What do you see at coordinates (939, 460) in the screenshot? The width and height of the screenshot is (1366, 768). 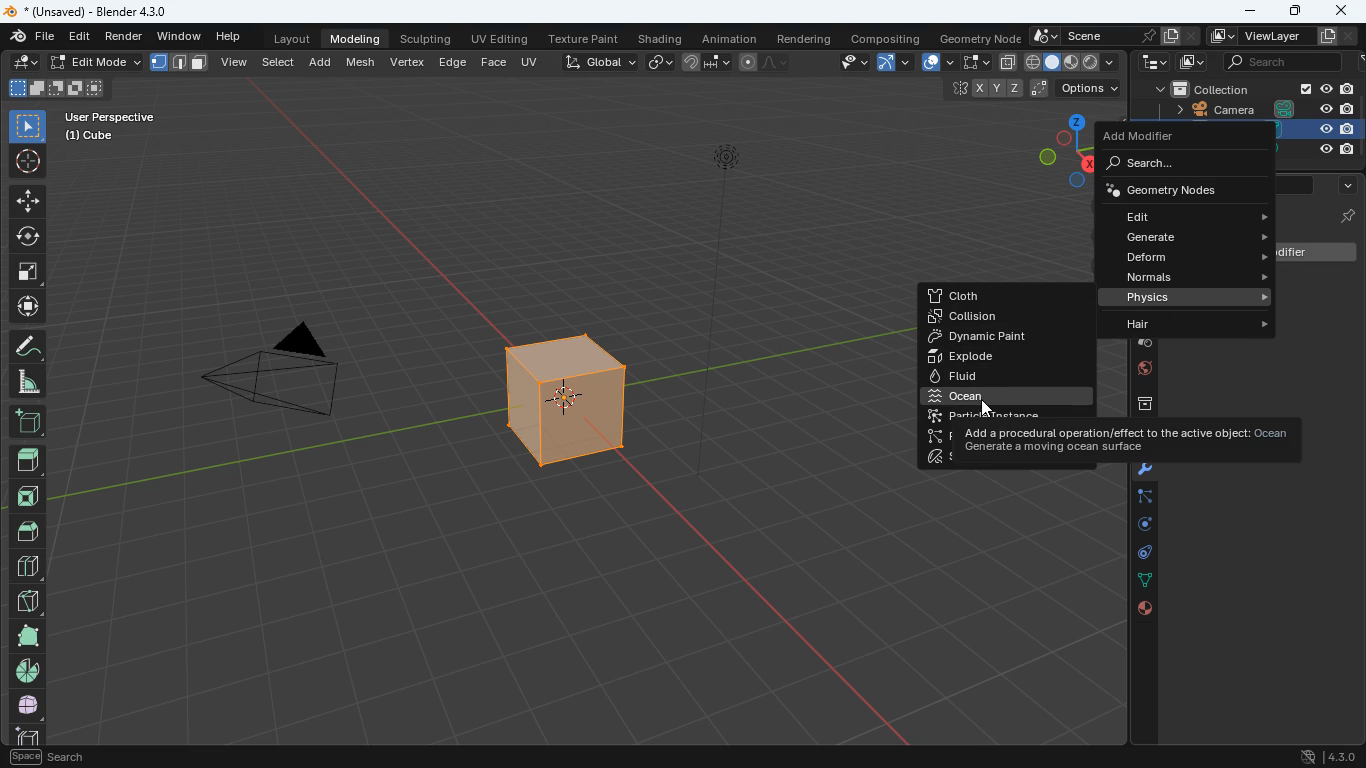 I see `soft bofy` at bounding box center [939, 460].